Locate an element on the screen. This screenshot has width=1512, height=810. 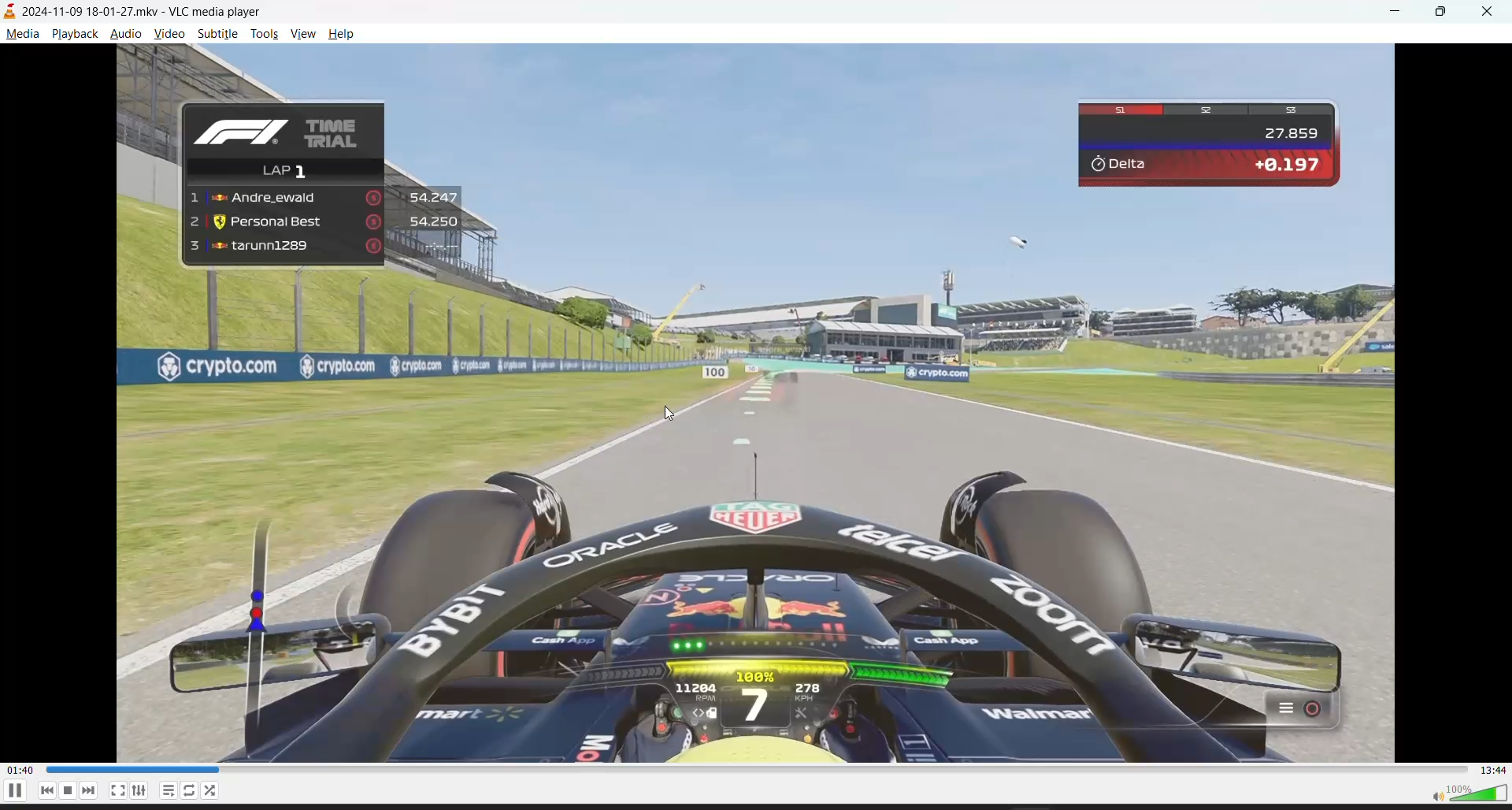
help is located at coordinates (344, 33).